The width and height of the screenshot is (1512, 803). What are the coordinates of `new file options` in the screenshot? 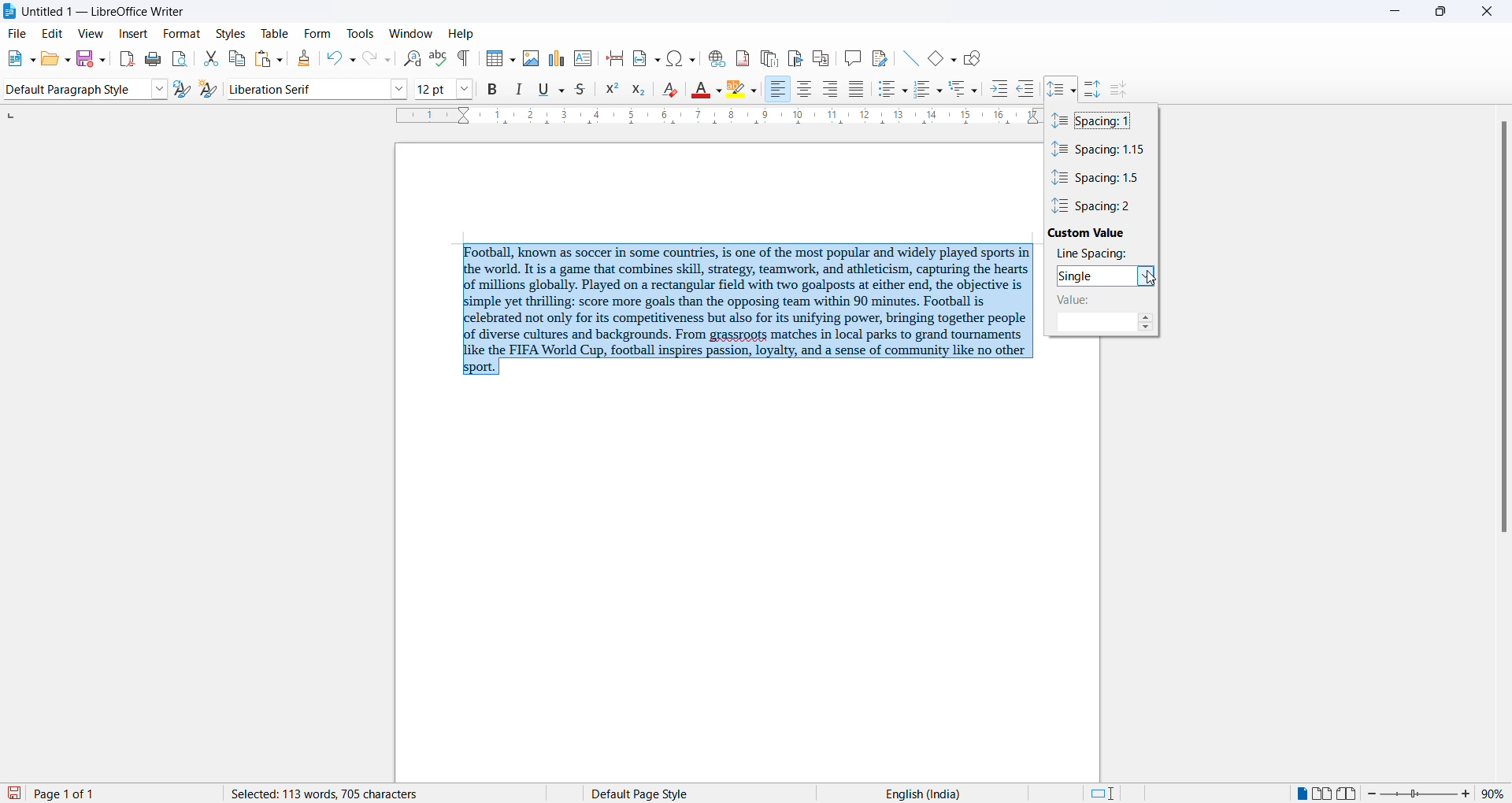 It's located at (29, 58).